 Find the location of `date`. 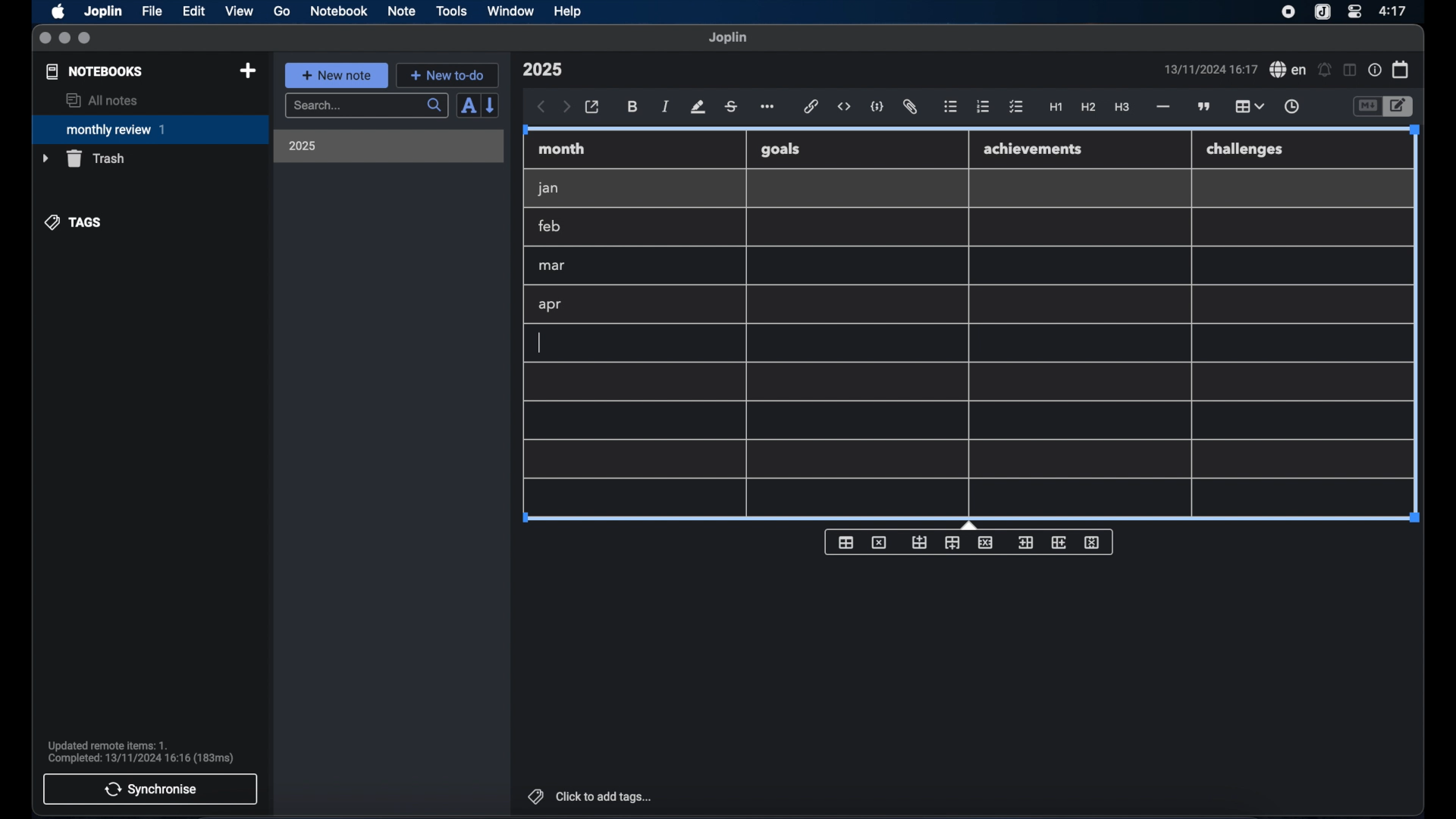

date is located at coordinates (1210, 69).